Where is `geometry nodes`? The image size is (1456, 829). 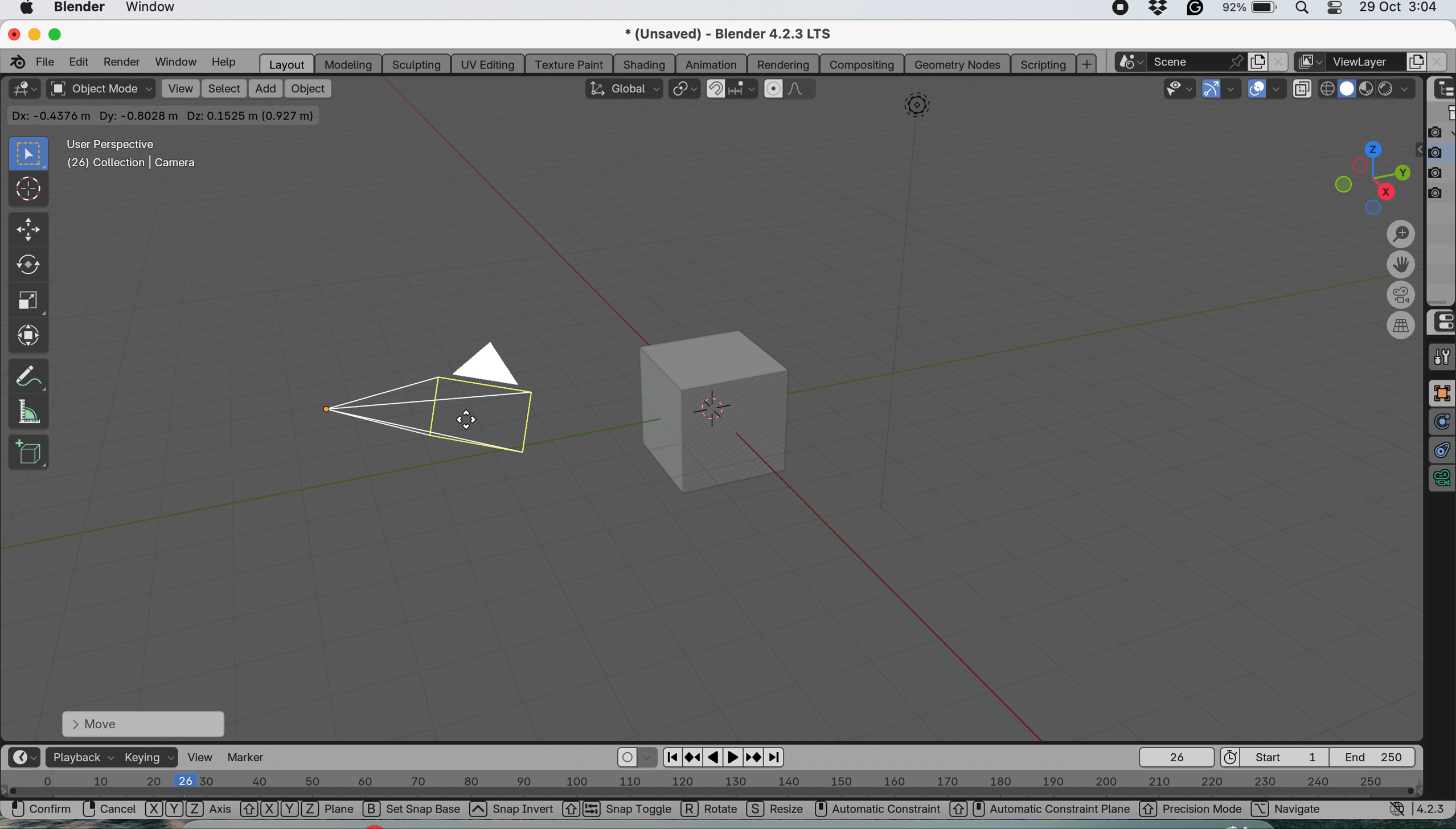
geometry nodes is located at coordinates (957, 64).